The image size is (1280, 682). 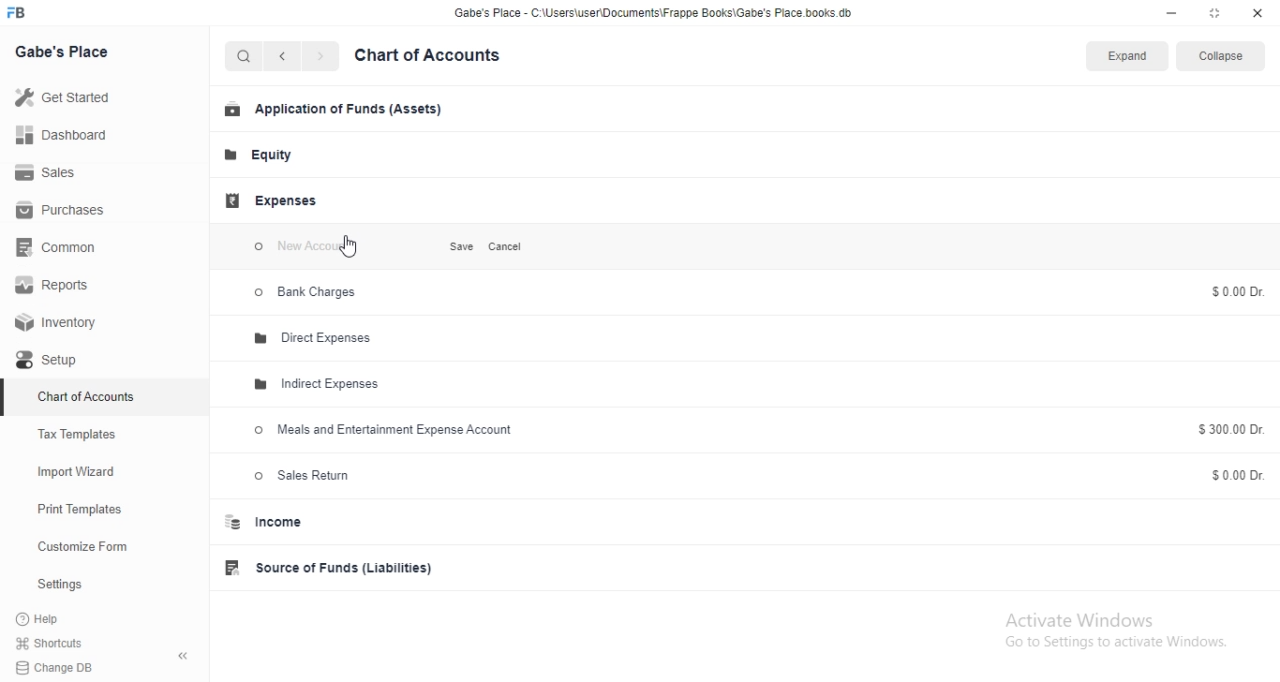 What do you see at coordinates (454, 246) in the screenshot?
I see `Save.` at bounding box center [454, 246].